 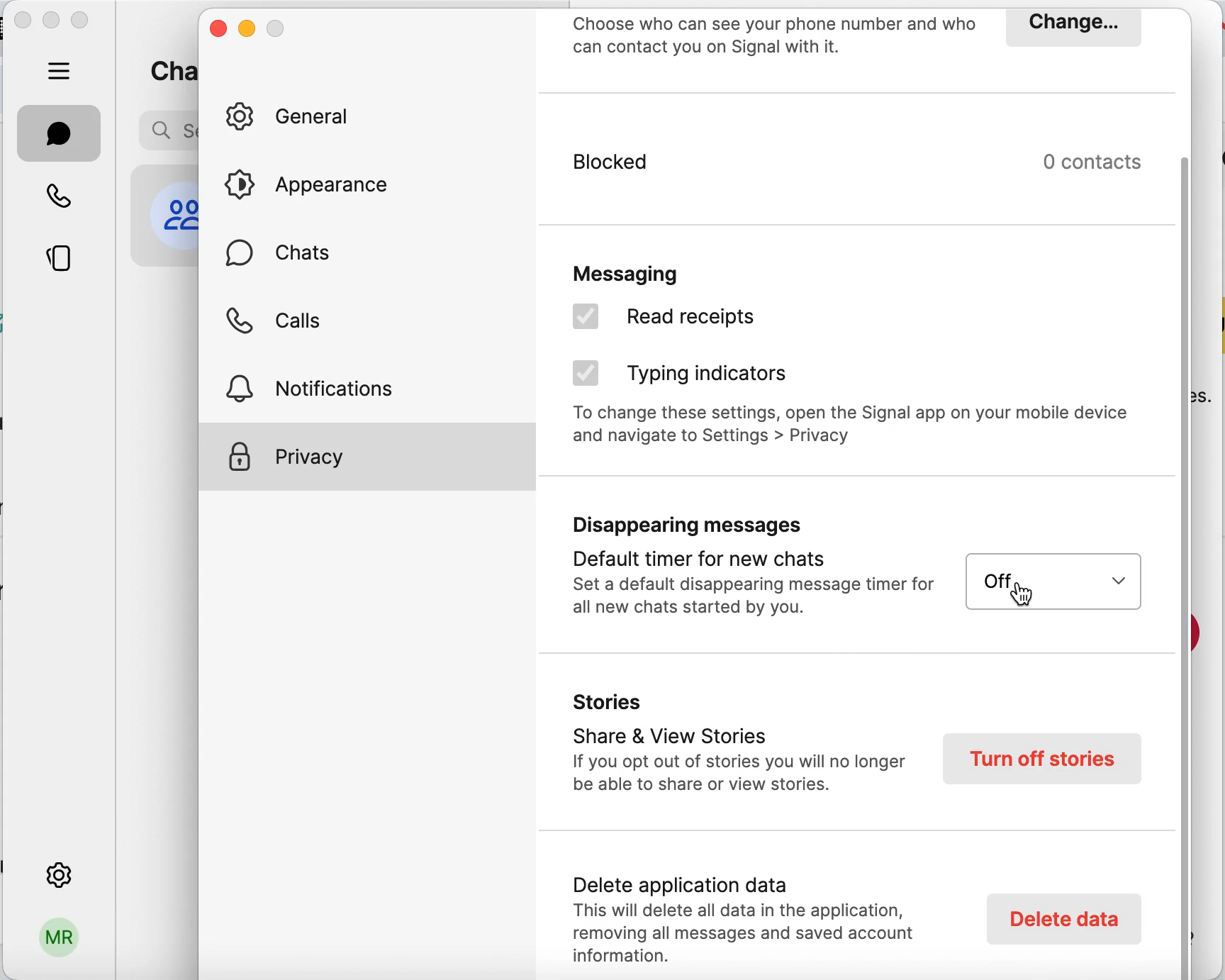 What do you see at coordinates (1044, 758) in the screenshot?
I see `turn off stories` at bounding box center [1044, 758].